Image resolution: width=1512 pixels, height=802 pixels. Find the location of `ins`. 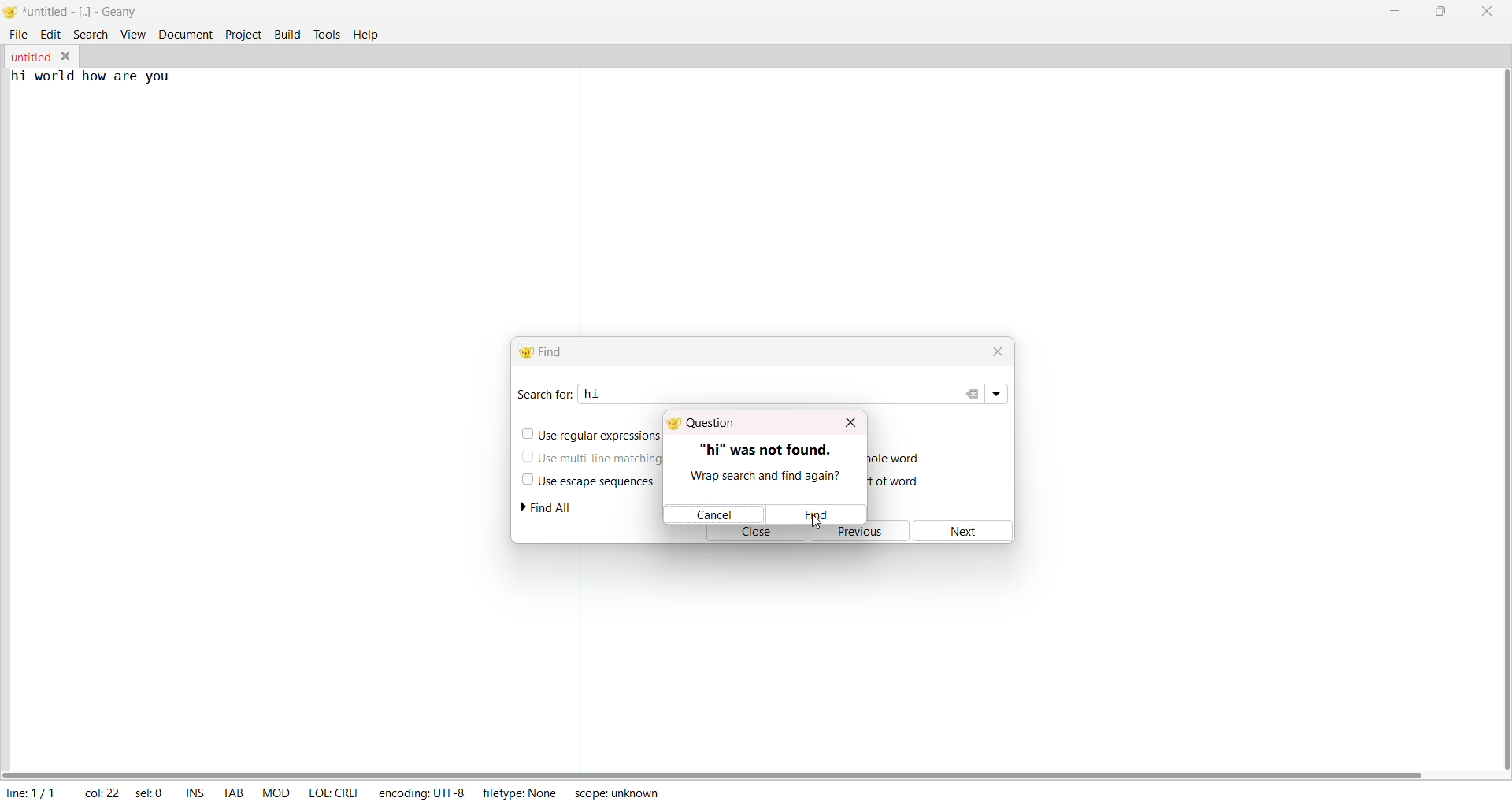

ins is located at coordinates (195, 792).